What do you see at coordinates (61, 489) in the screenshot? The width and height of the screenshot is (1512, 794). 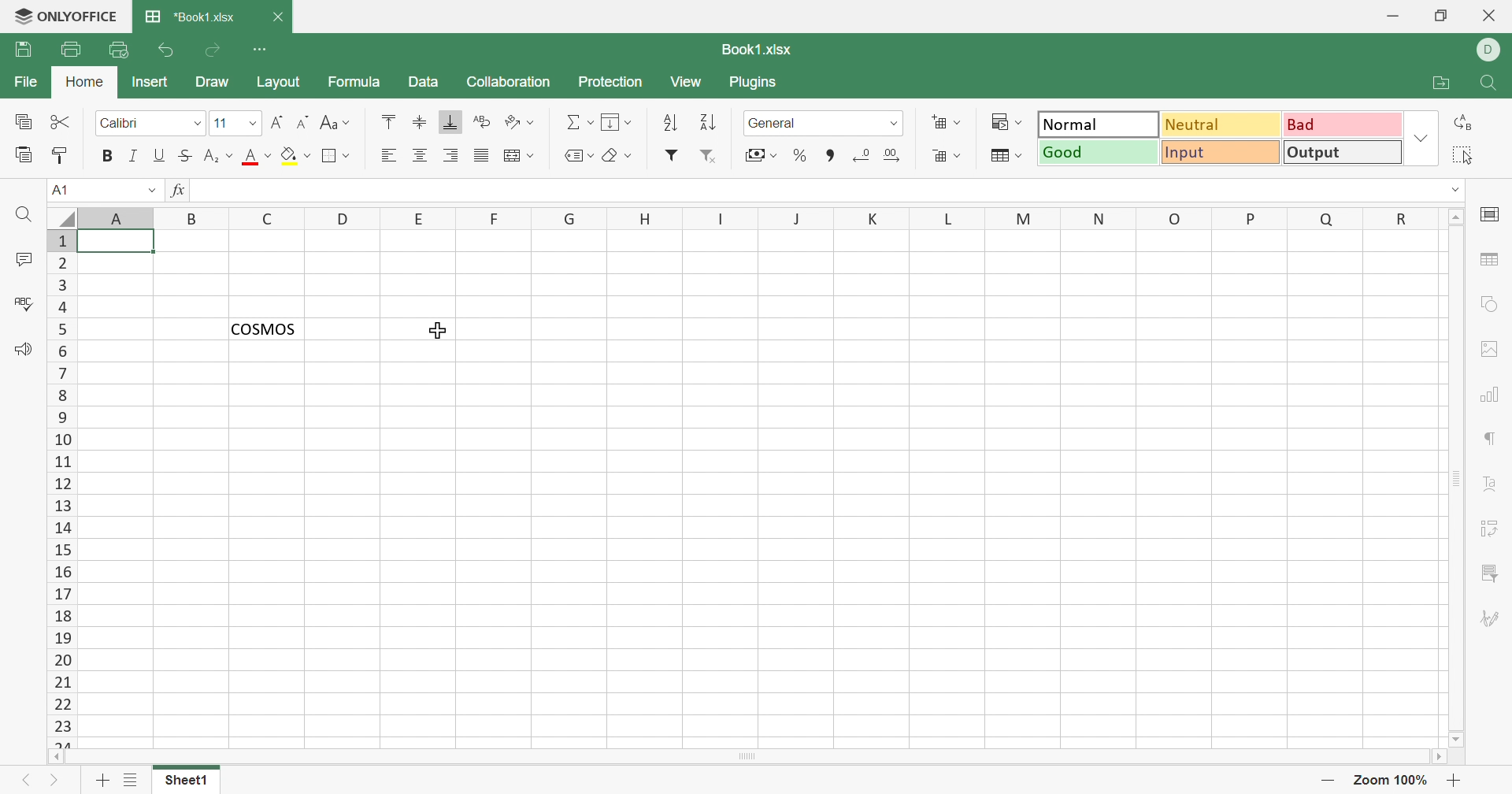 I see `Row Number` at bounding box center [61, 489].